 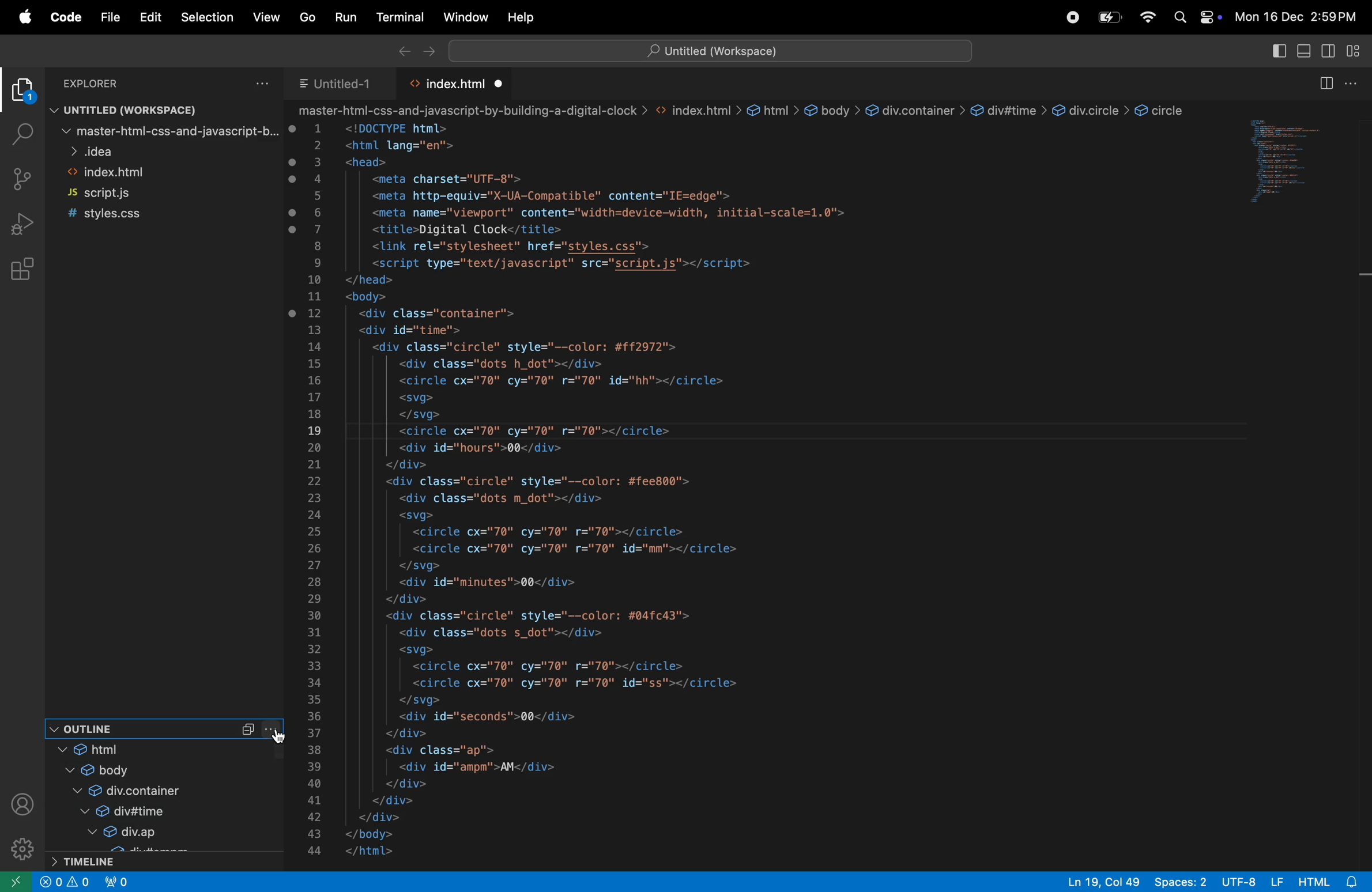 What do you see at coordinates (148, 171) in the screenshot?
I see `index.html` at bounding box center [148, 171].